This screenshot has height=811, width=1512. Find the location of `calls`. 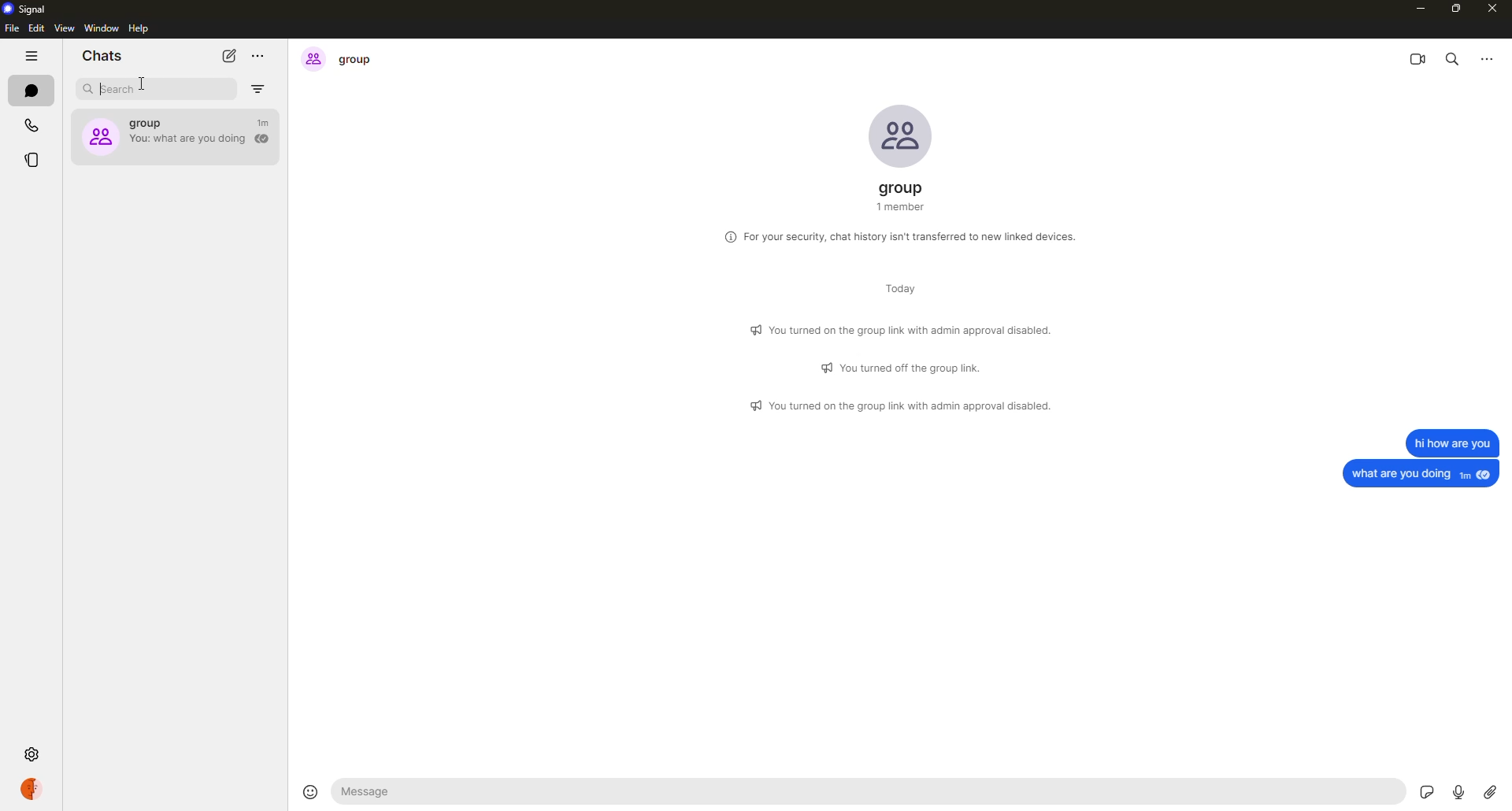

calls is located at coordinates (30, 124).